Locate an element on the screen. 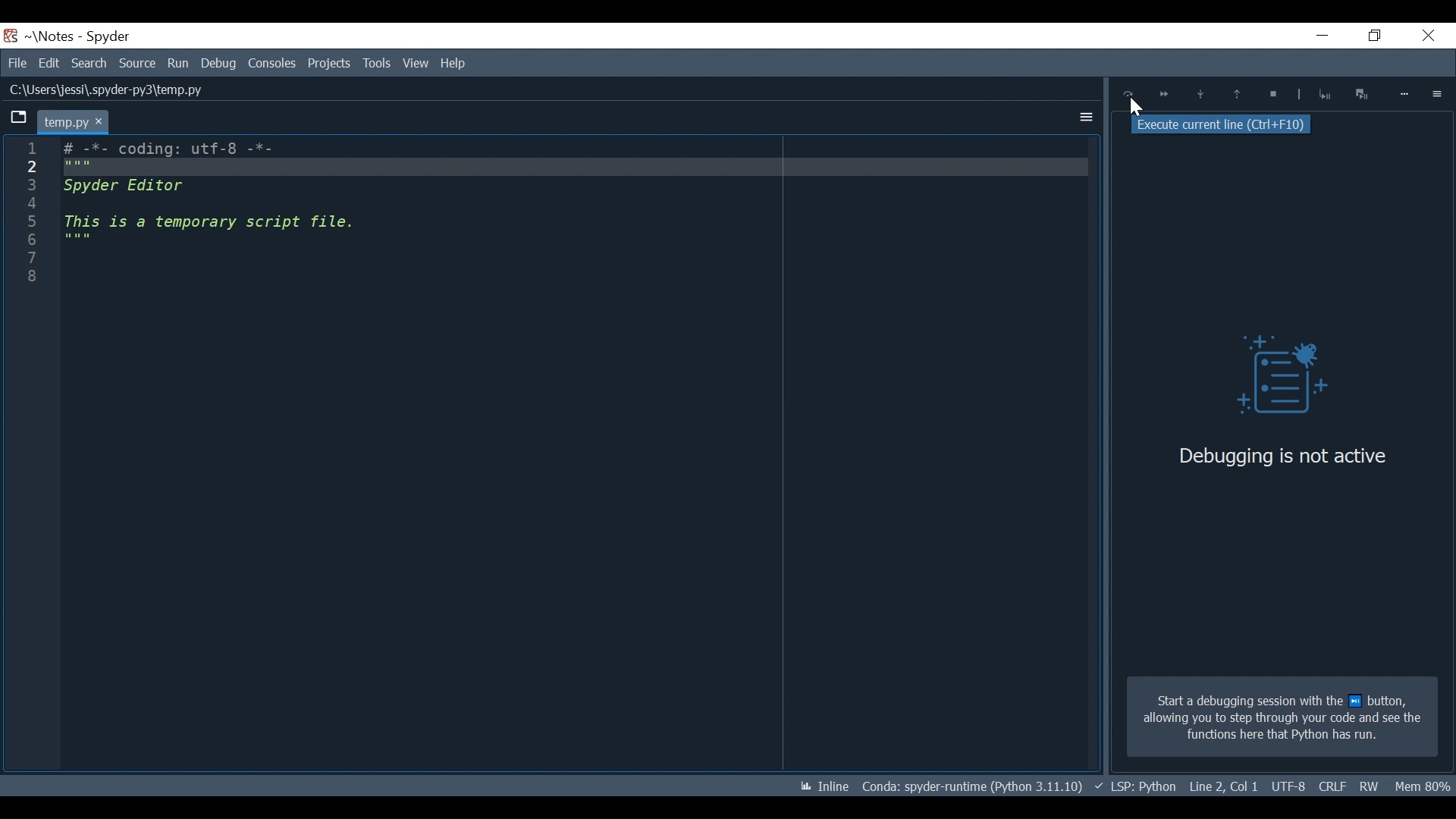  Spyder  is located at coordinates (109, 37).